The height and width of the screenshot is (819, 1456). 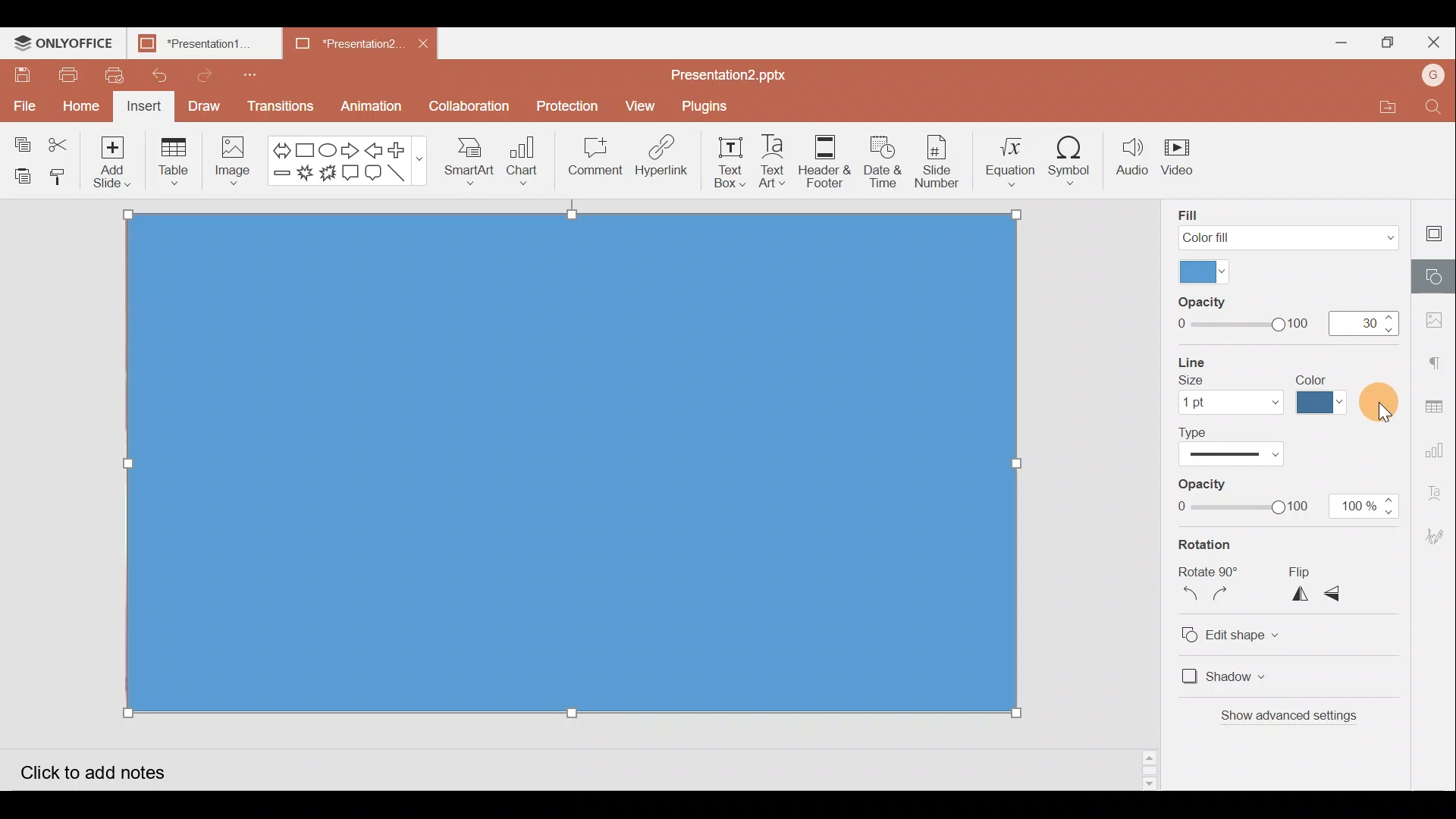 What do you see at coordinates (1146, 767) in the screenshot?
I see `Slide bar` at bounding box center [1146, 767].